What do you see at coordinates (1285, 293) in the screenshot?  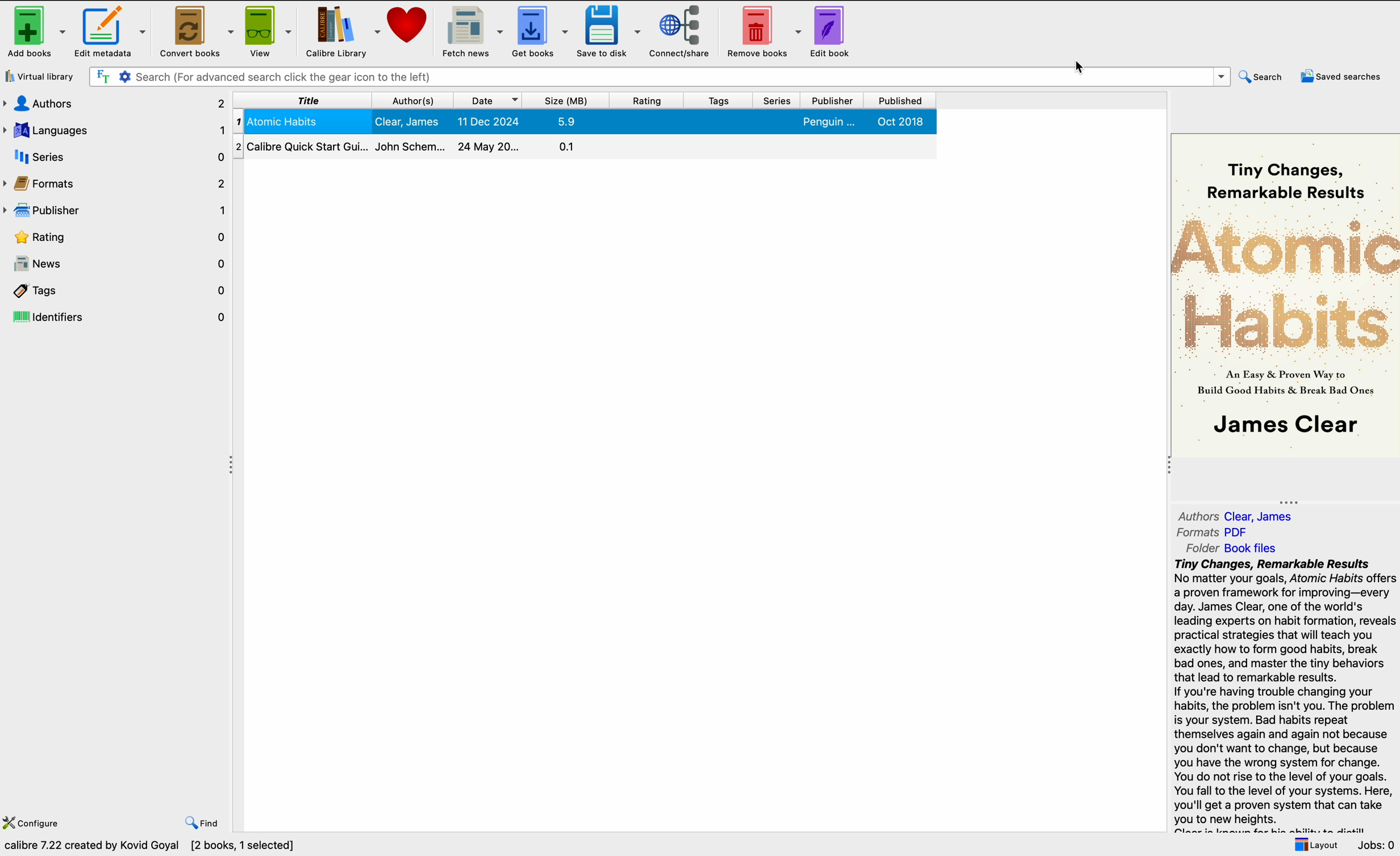 I see `cover book` at bounding box center [1285, 293].